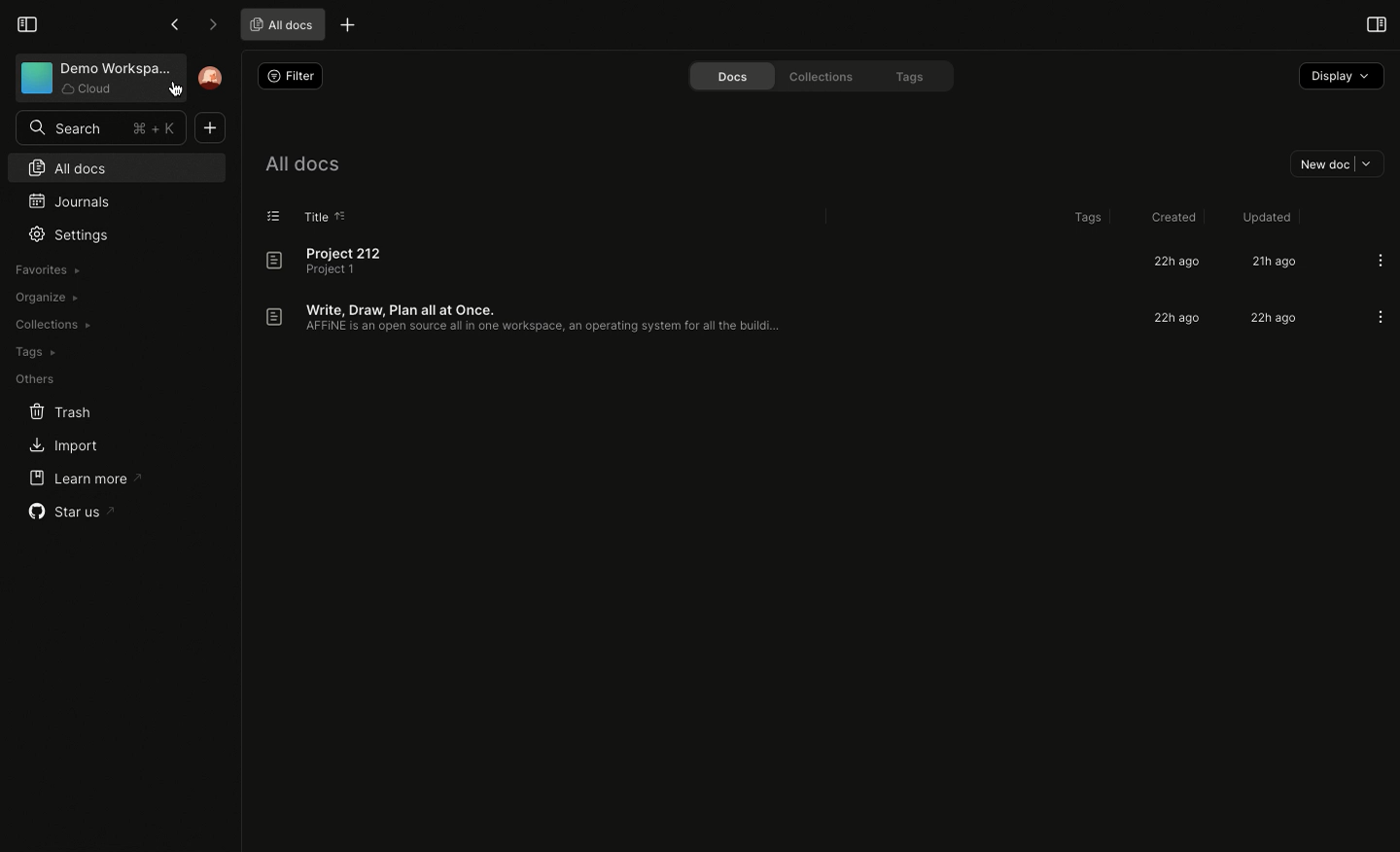  What do you see at coordinates (530, 316) in the screenshot?
I see `Write, draw, plan all at once` at bounding box center [530, 316].